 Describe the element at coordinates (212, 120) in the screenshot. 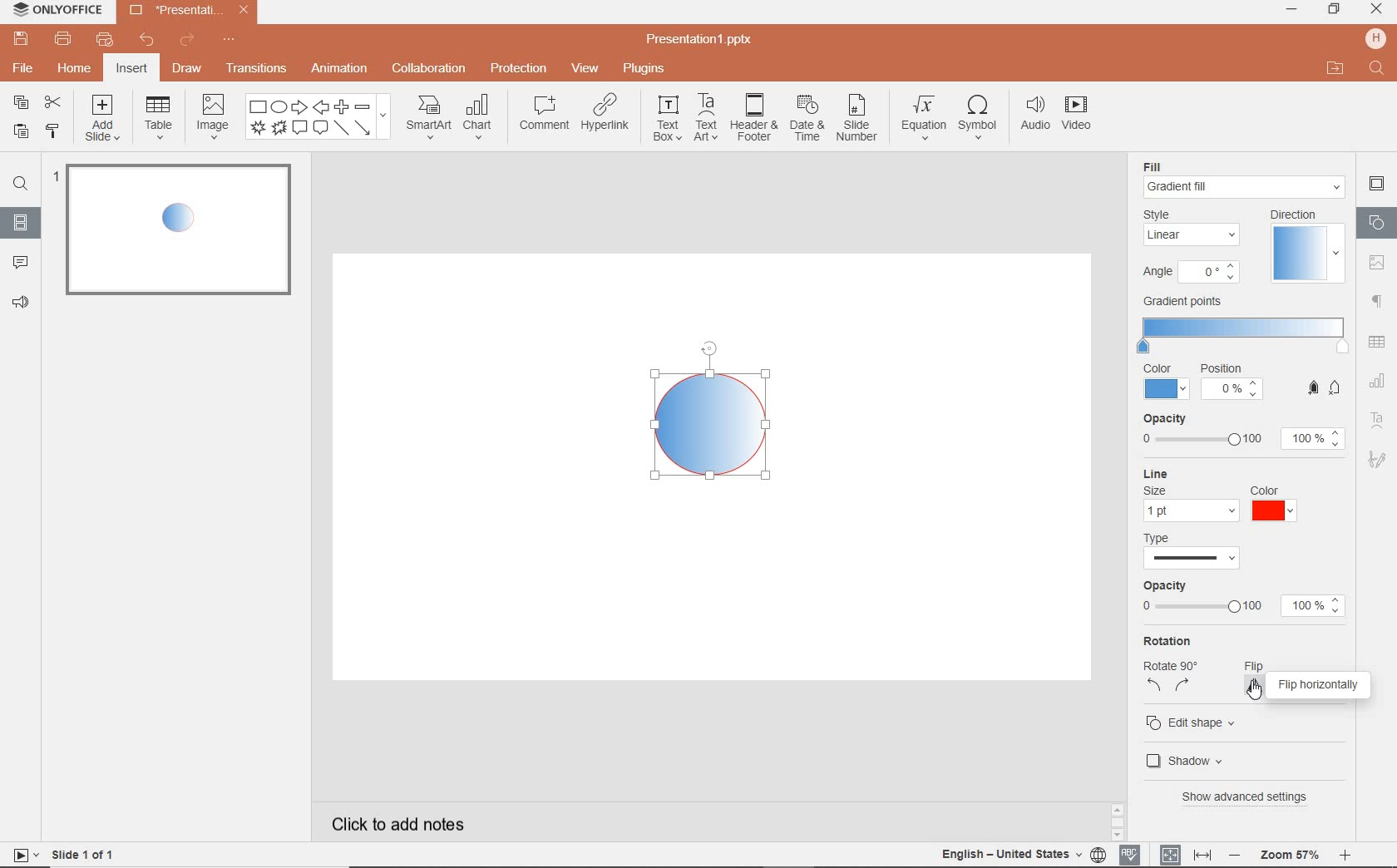

I see `image` at that location.